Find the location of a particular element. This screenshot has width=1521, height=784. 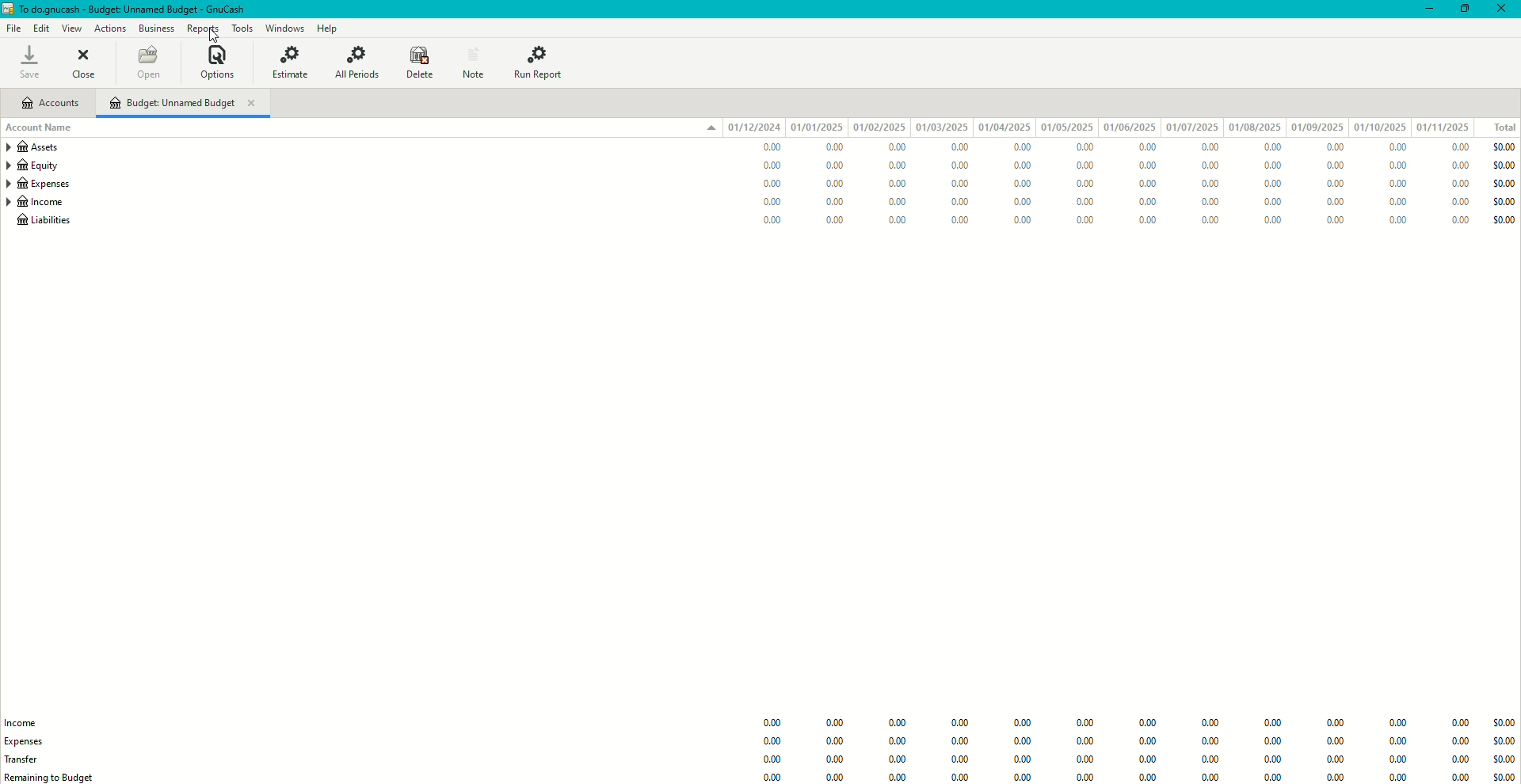

0.00 is located at coordinates (1085, 221).